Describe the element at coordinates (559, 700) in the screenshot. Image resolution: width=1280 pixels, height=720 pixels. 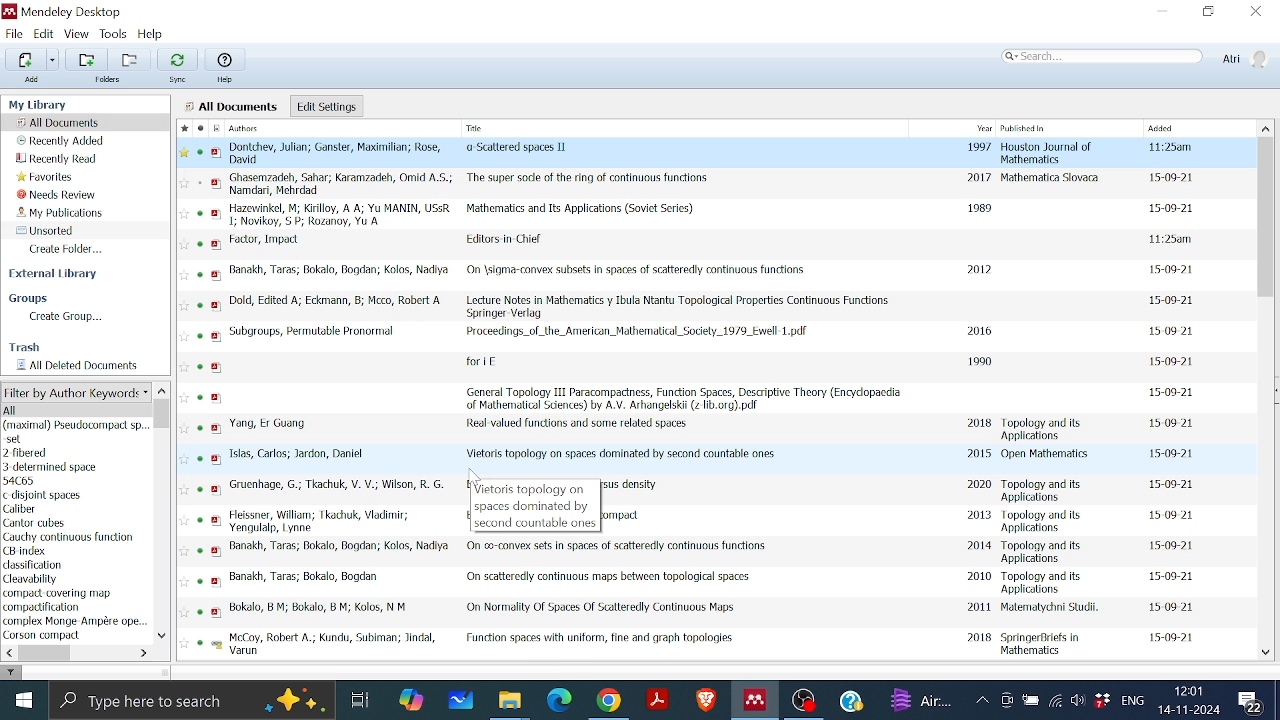
I see `Microsoft edge` at that location.